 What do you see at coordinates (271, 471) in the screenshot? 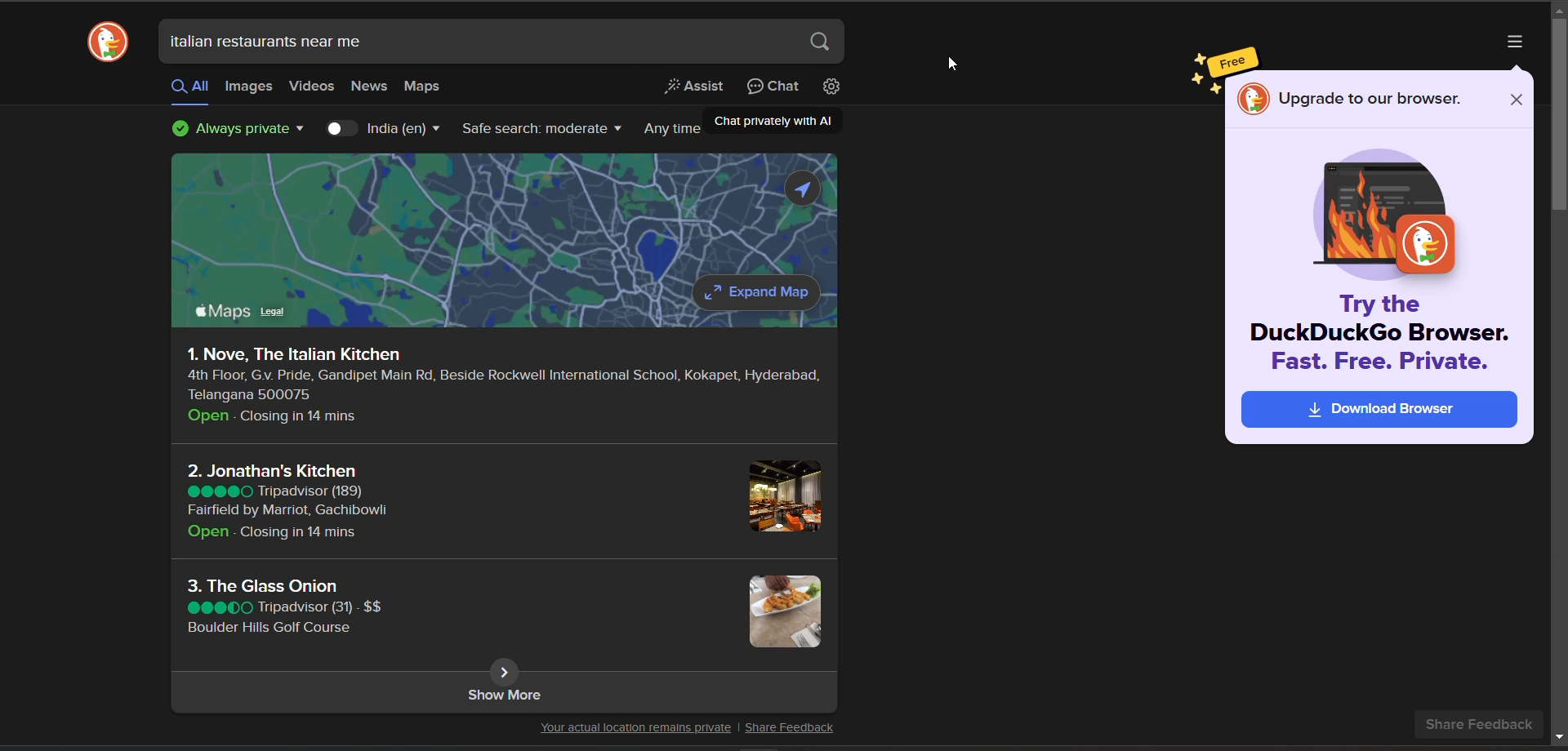
I see `2. Jonathan's Kitchen` at bounding box center [271, 471].